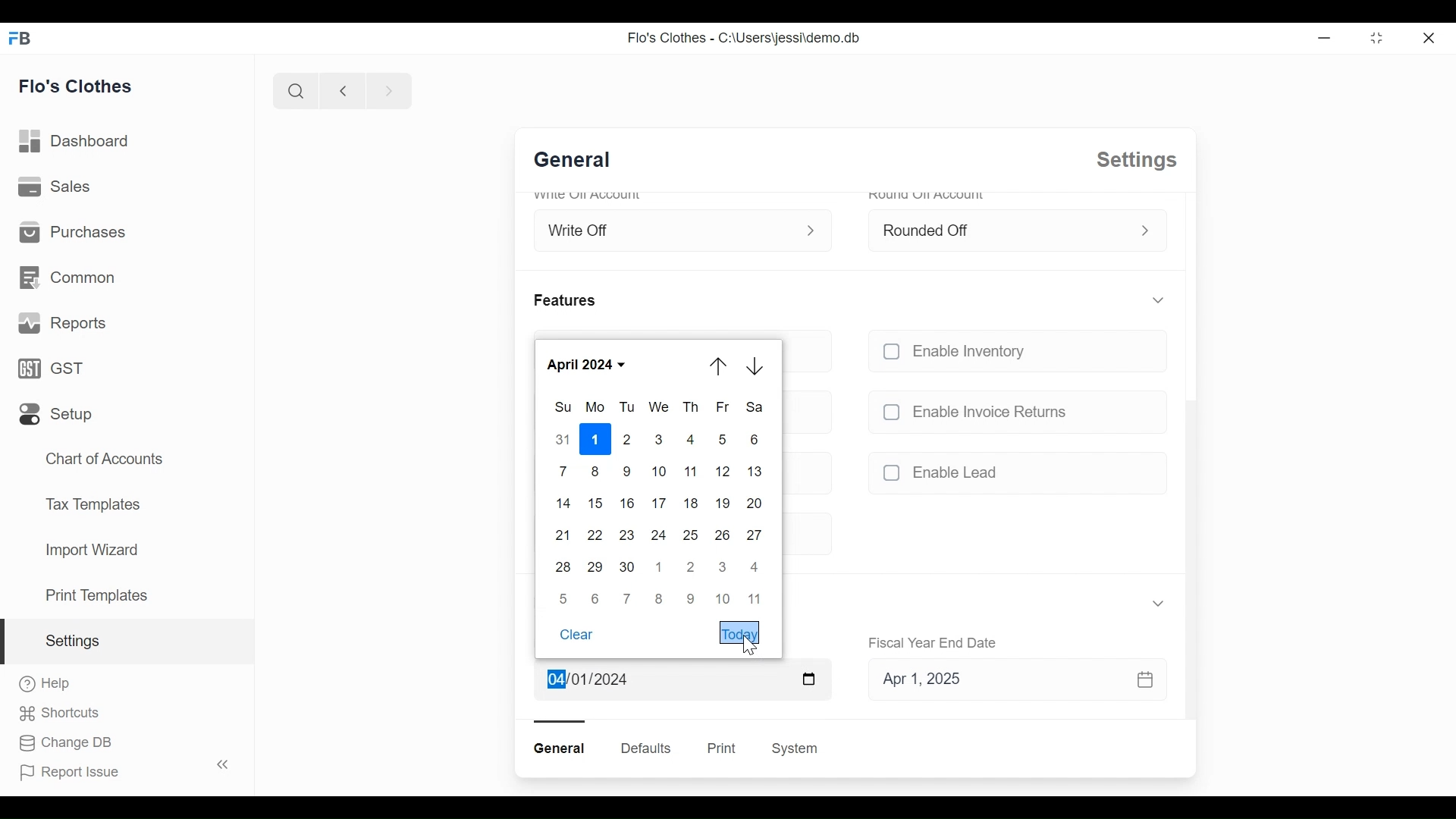 This screenshot has height=819, width=1456. Describe the element at coordinates (754, 503) in the screenshot. I see `20` at that location.